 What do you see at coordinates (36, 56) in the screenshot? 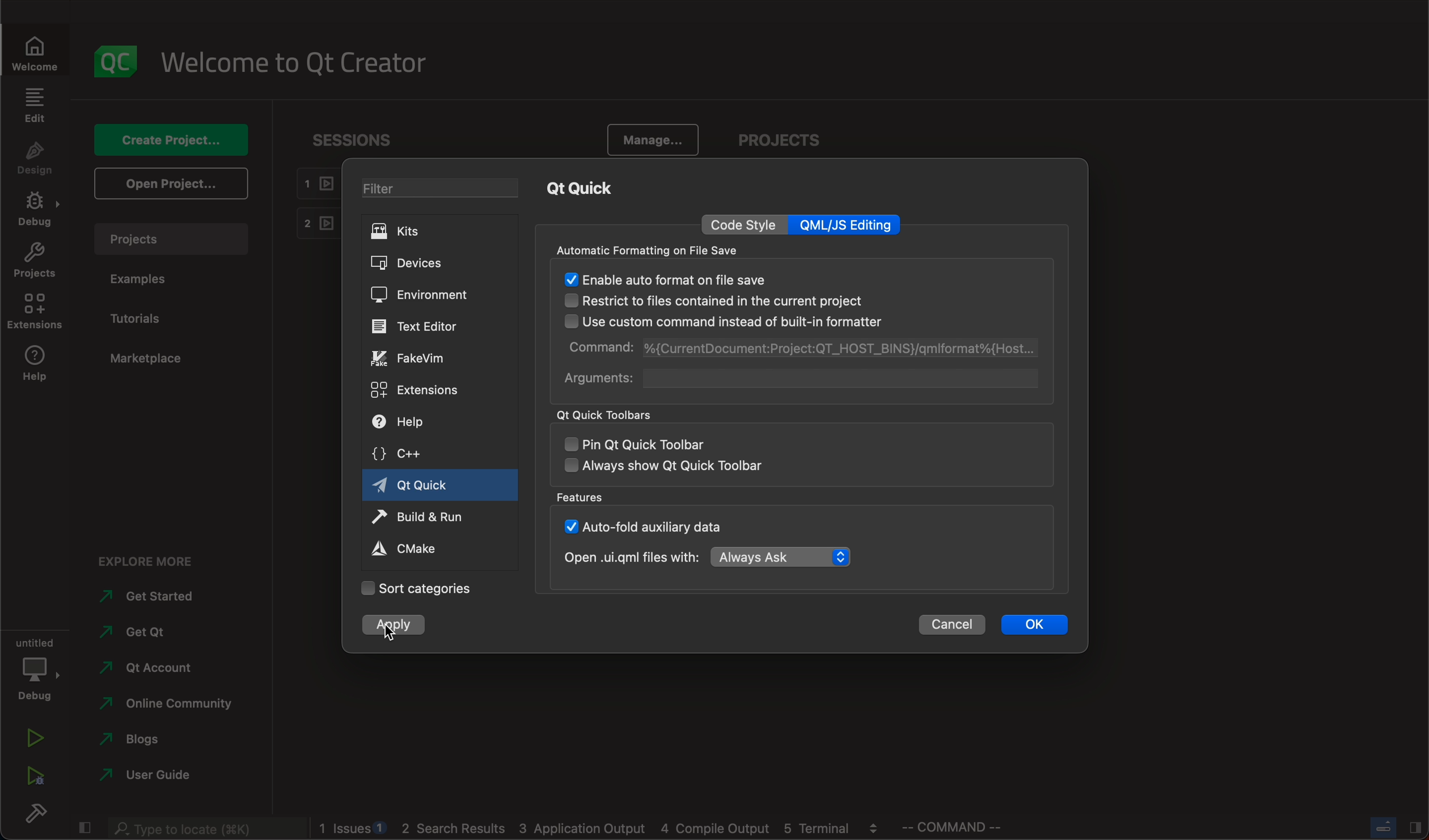
I see `WELCOME` at bounding box center [36, 56].